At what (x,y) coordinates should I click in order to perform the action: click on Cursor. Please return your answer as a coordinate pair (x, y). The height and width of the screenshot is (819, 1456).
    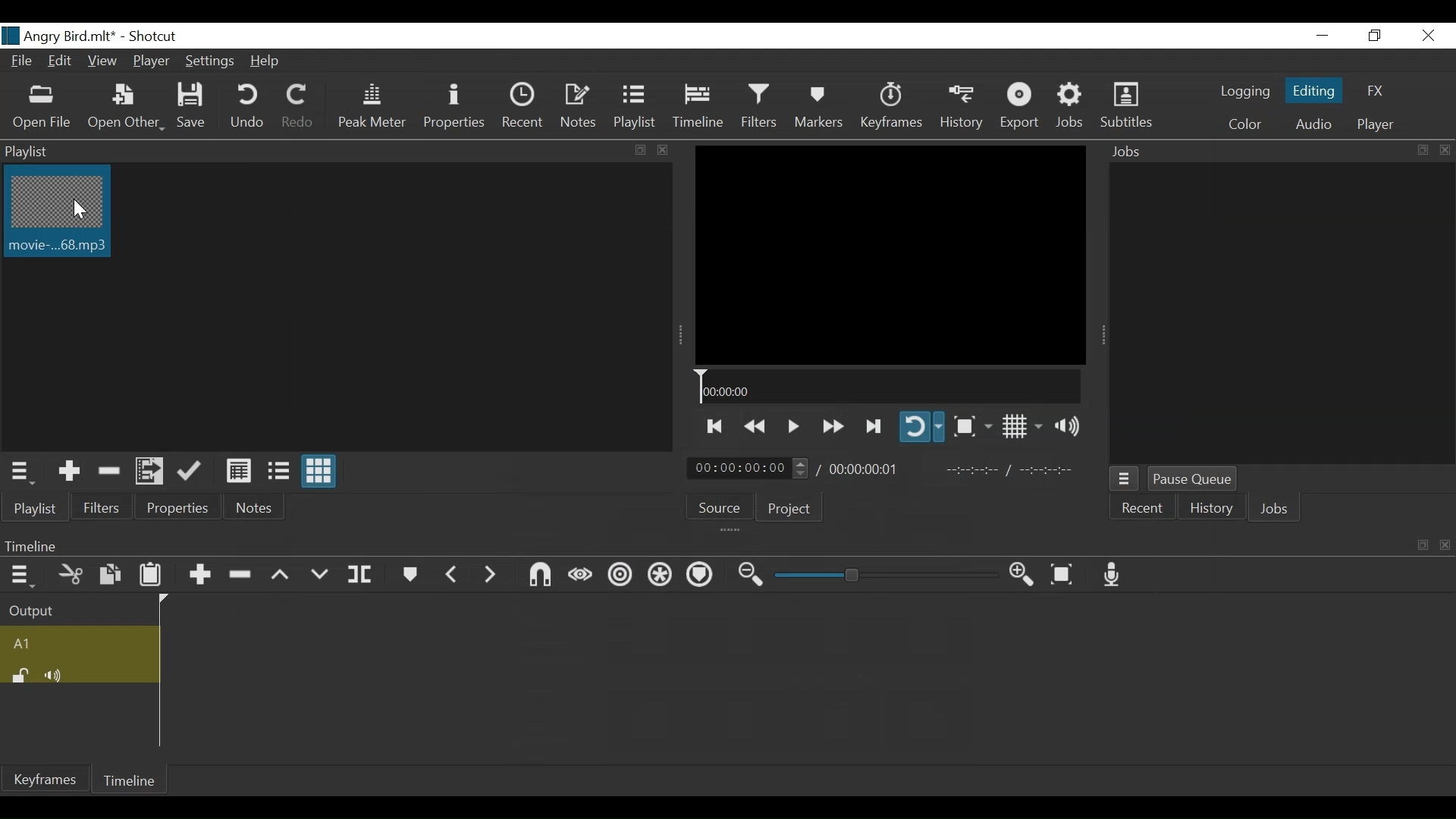
    Looking at the image, I should click on (77, 210).